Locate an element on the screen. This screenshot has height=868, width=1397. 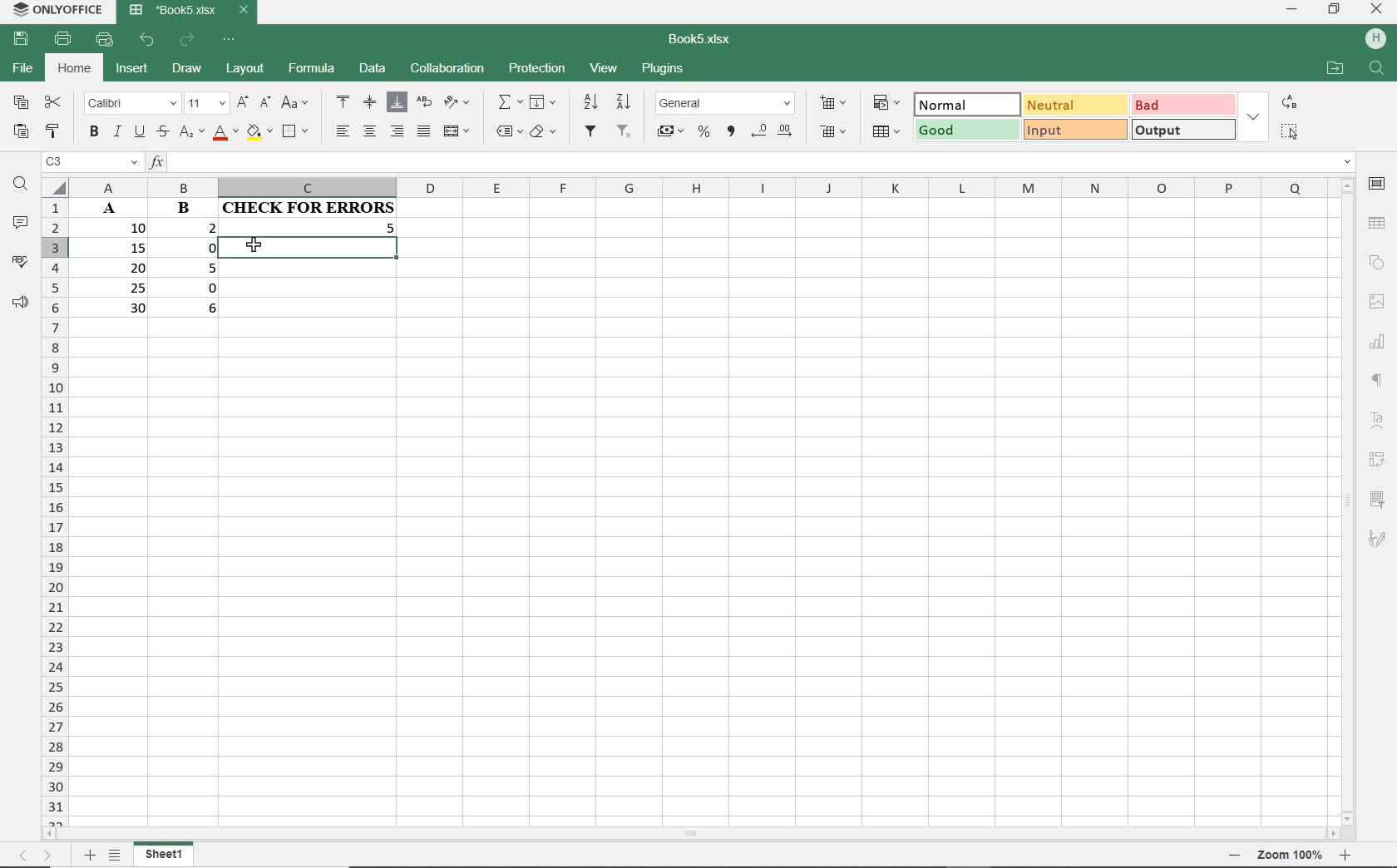
SORT DESCENDING is located at coordinates (626, 101).